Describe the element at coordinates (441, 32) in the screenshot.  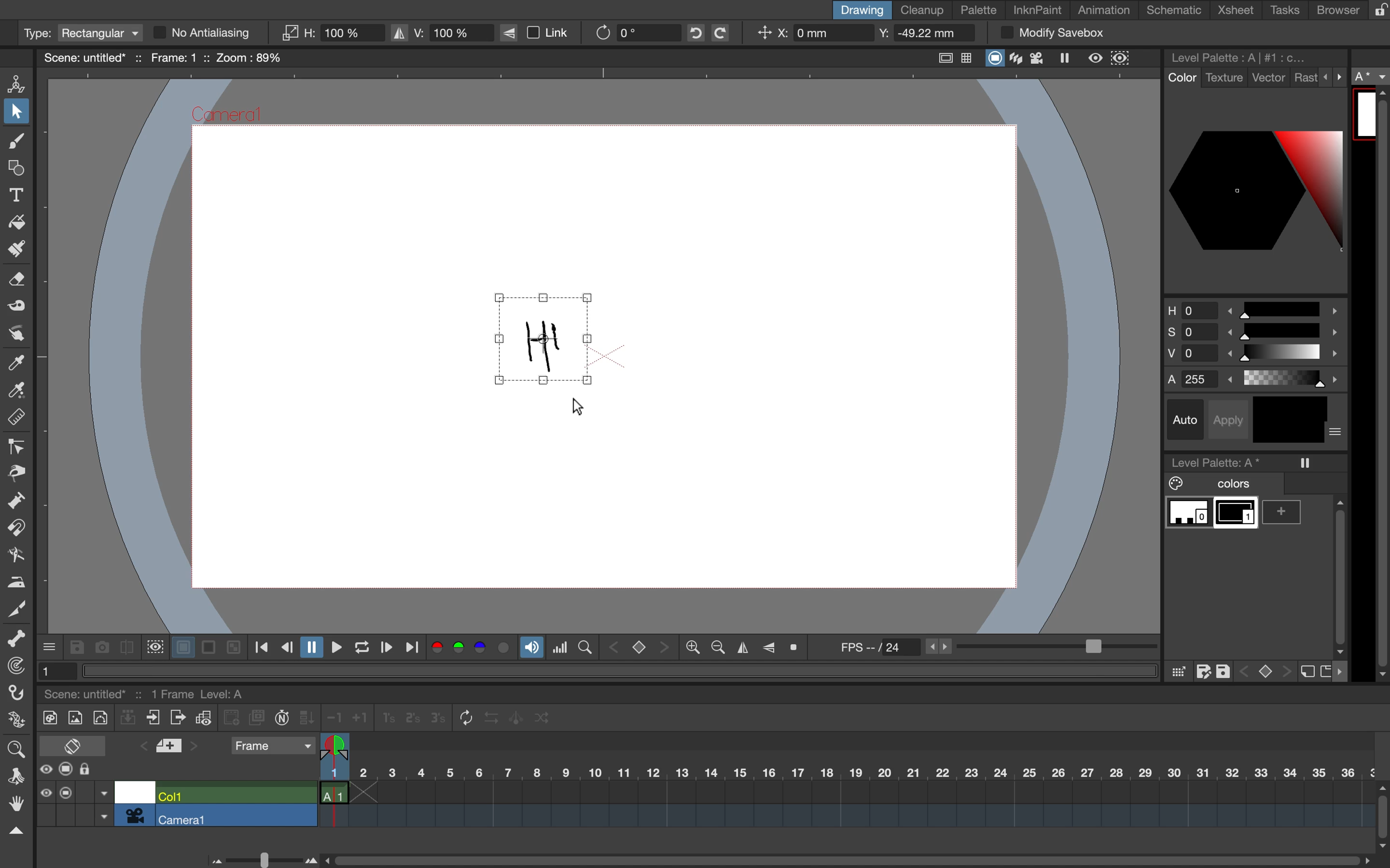
I see `vertical scaling` at that location.